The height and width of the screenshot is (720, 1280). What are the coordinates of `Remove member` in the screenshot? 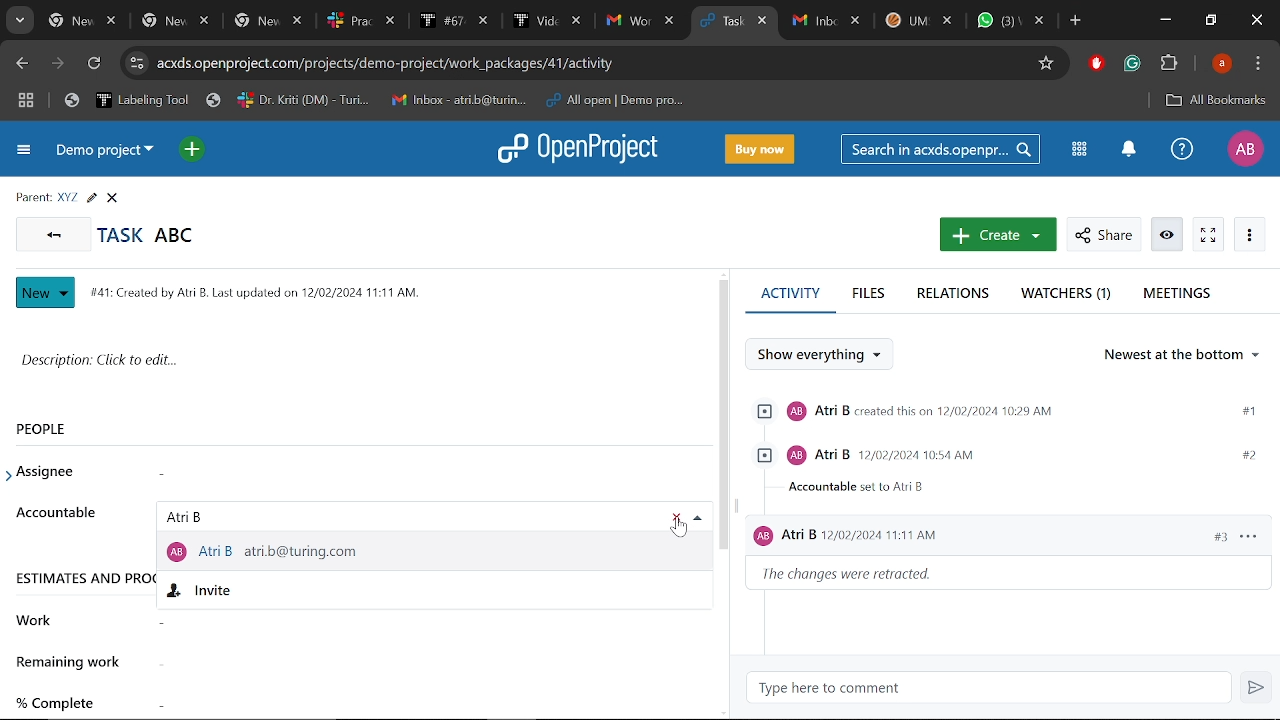 It's located at (677, 520).